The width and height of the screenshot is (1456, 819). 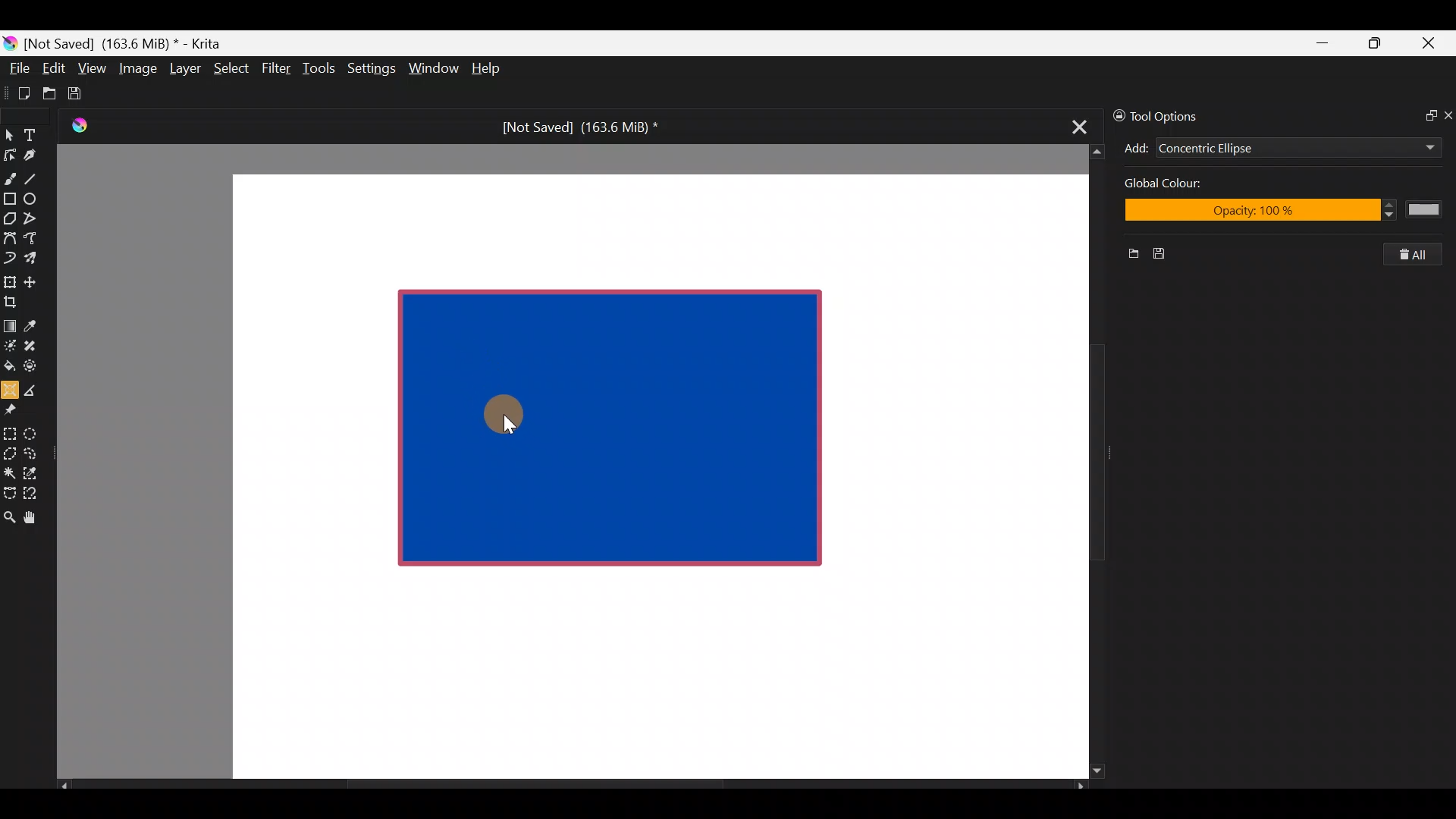 I want to click on Polygonal section tool, so click(x=9, y=450).